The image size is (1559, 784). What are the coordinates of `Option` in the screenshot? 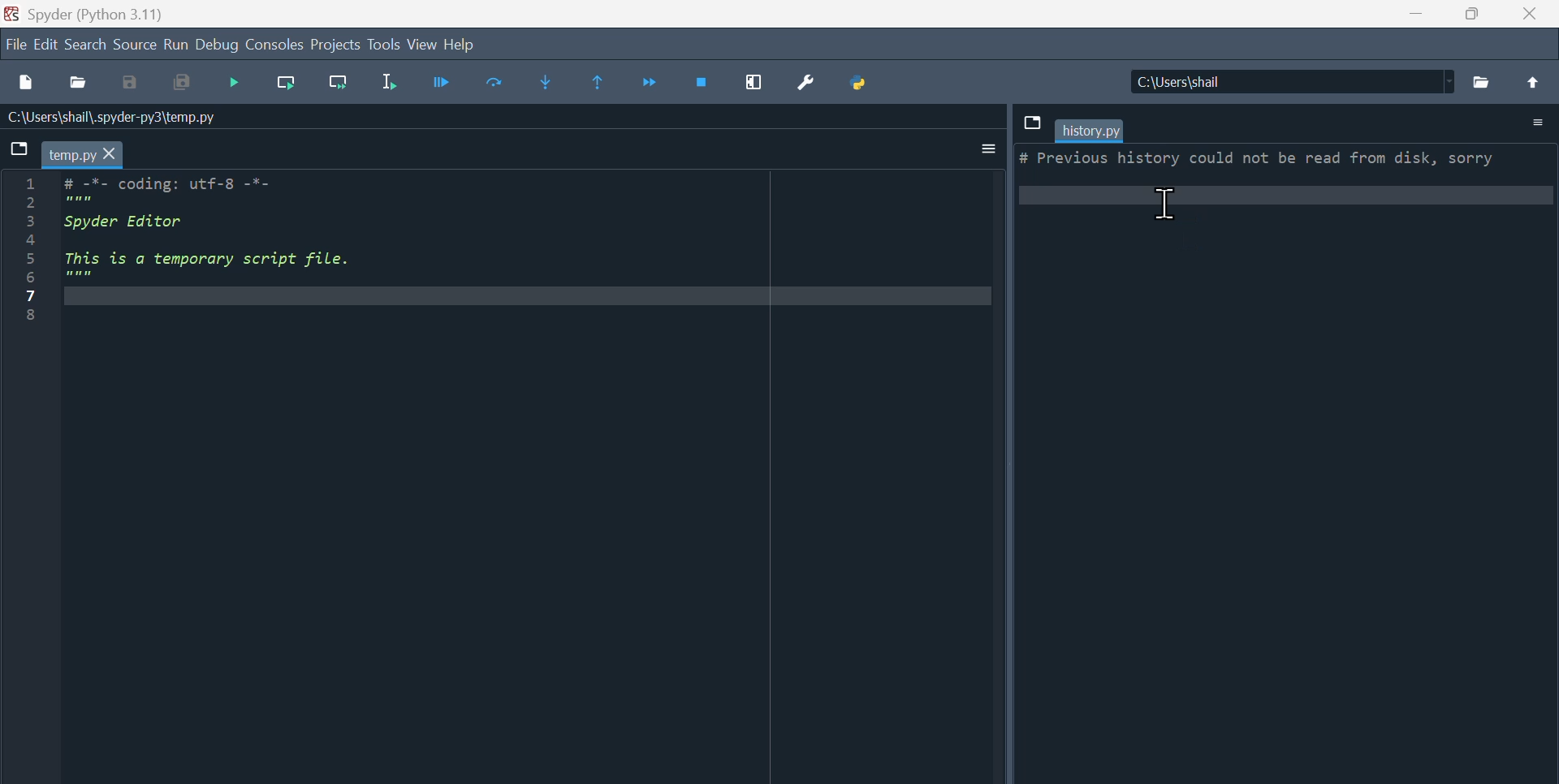 It's located at (1536, 123).